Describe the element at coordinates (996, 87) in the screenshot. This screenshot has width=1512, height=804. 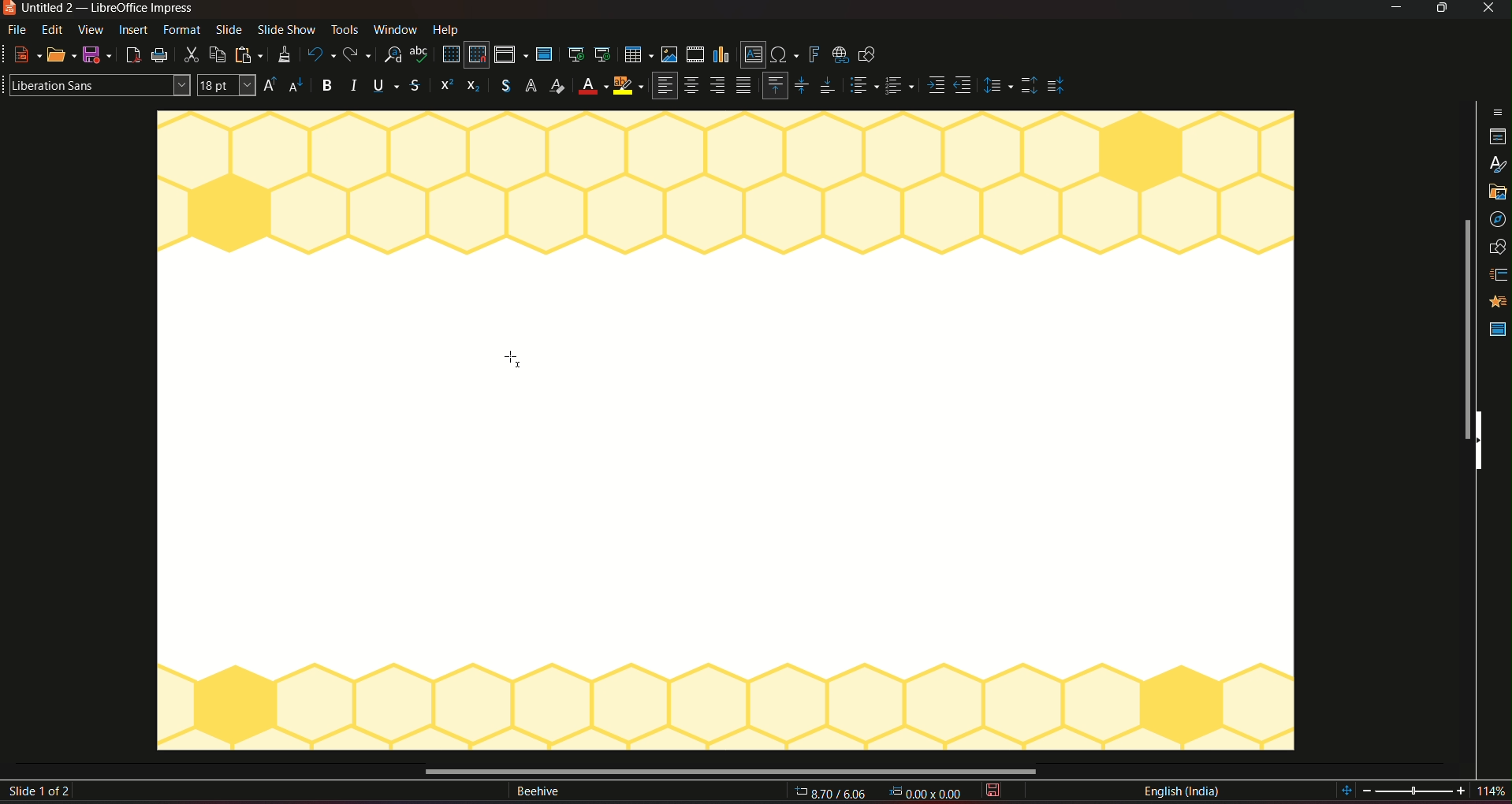
I see `Adjust paragraph` at that location.